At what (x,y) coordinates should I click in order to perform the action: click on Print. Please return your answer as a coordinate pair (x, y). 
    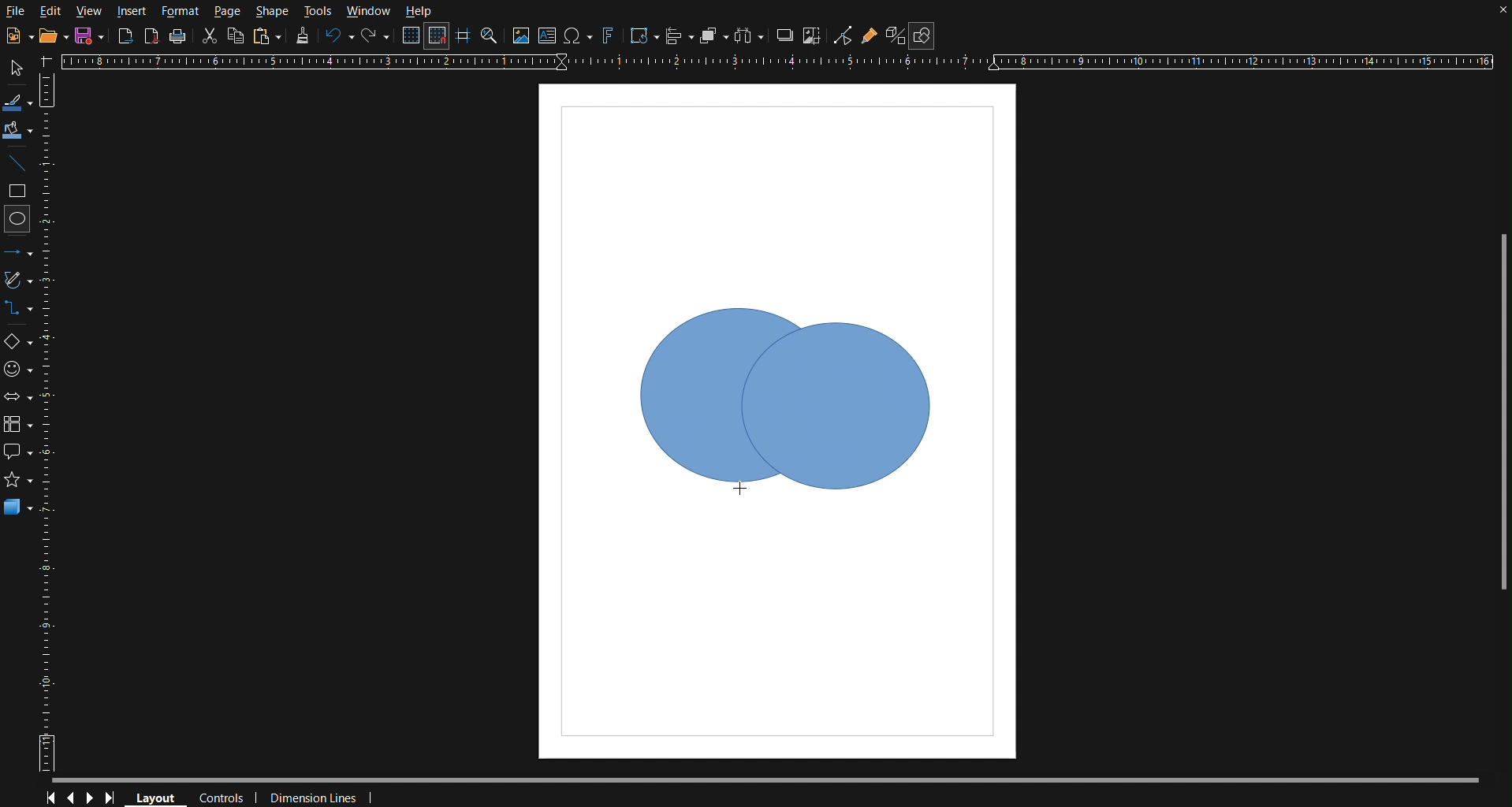
    Looking at the image, I should click on (180, 35).